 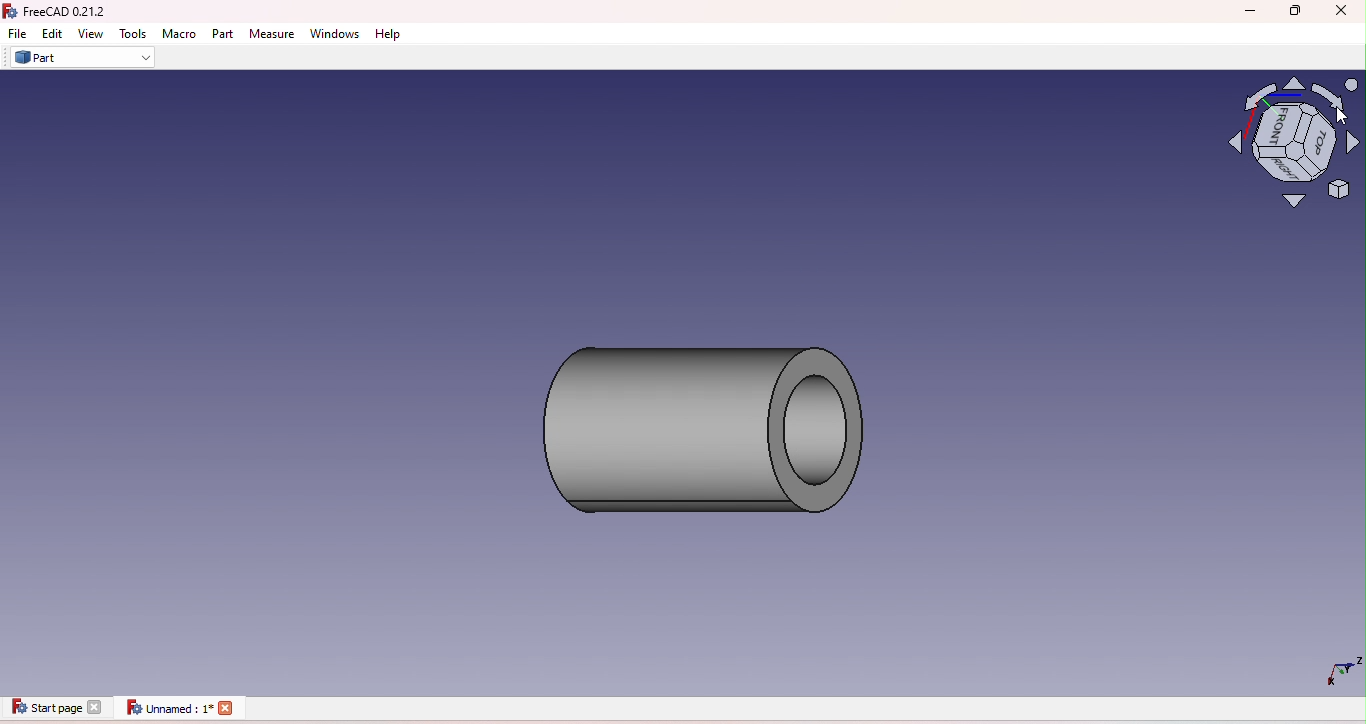 What do you see at coordinates (178, 709) in the screenshot?
I see `Unnamed document` at bounding box center [178, 709].